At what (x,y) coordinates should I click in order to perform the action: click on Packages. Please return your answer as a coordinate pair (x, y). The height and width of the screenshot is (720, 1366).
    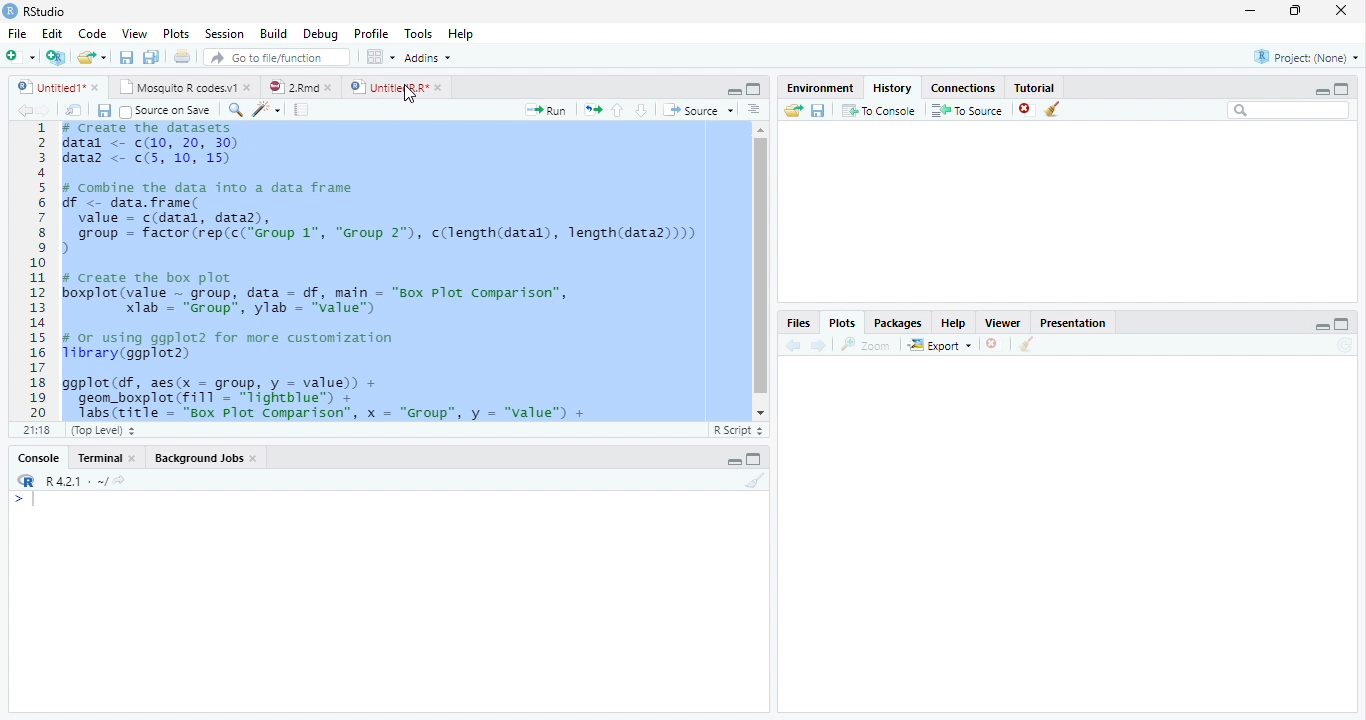
    Looking at the image, I should click on (898, 322).